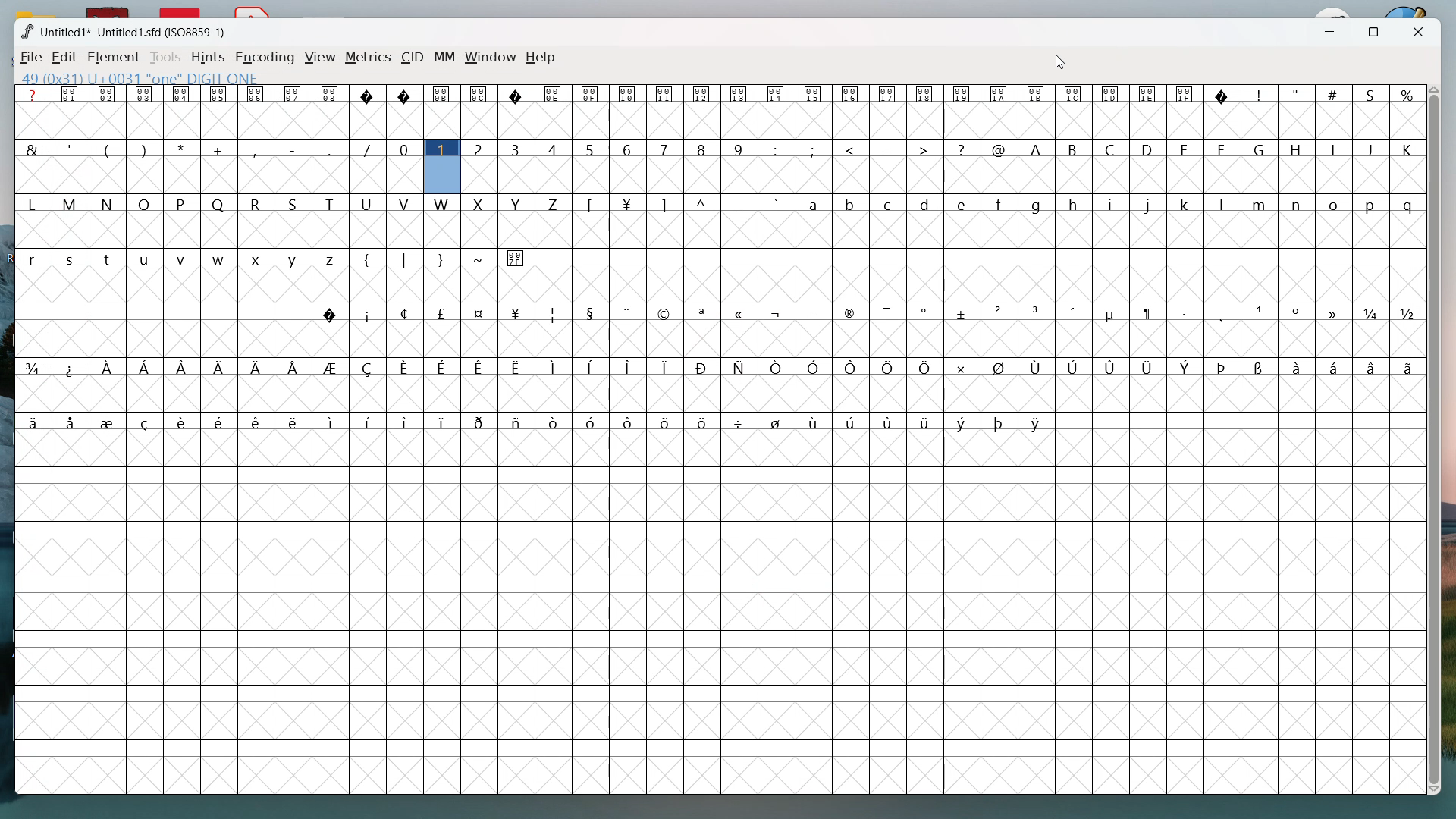  I want to click on o, so click(1335, 203).